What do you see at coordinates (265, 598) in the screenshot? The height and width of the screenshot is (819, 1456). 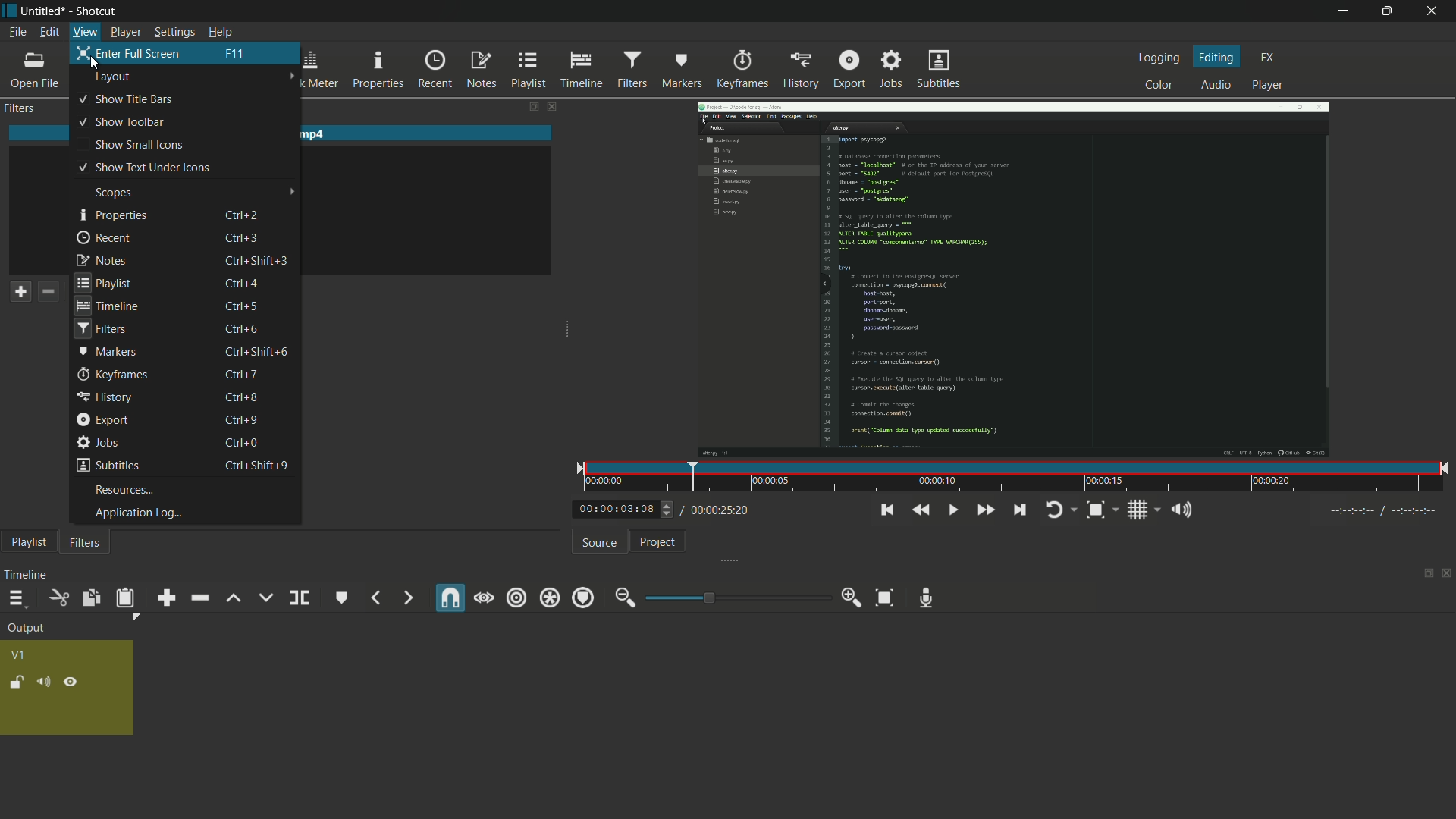 I see `overwrite` at bounding box center [265, 598].